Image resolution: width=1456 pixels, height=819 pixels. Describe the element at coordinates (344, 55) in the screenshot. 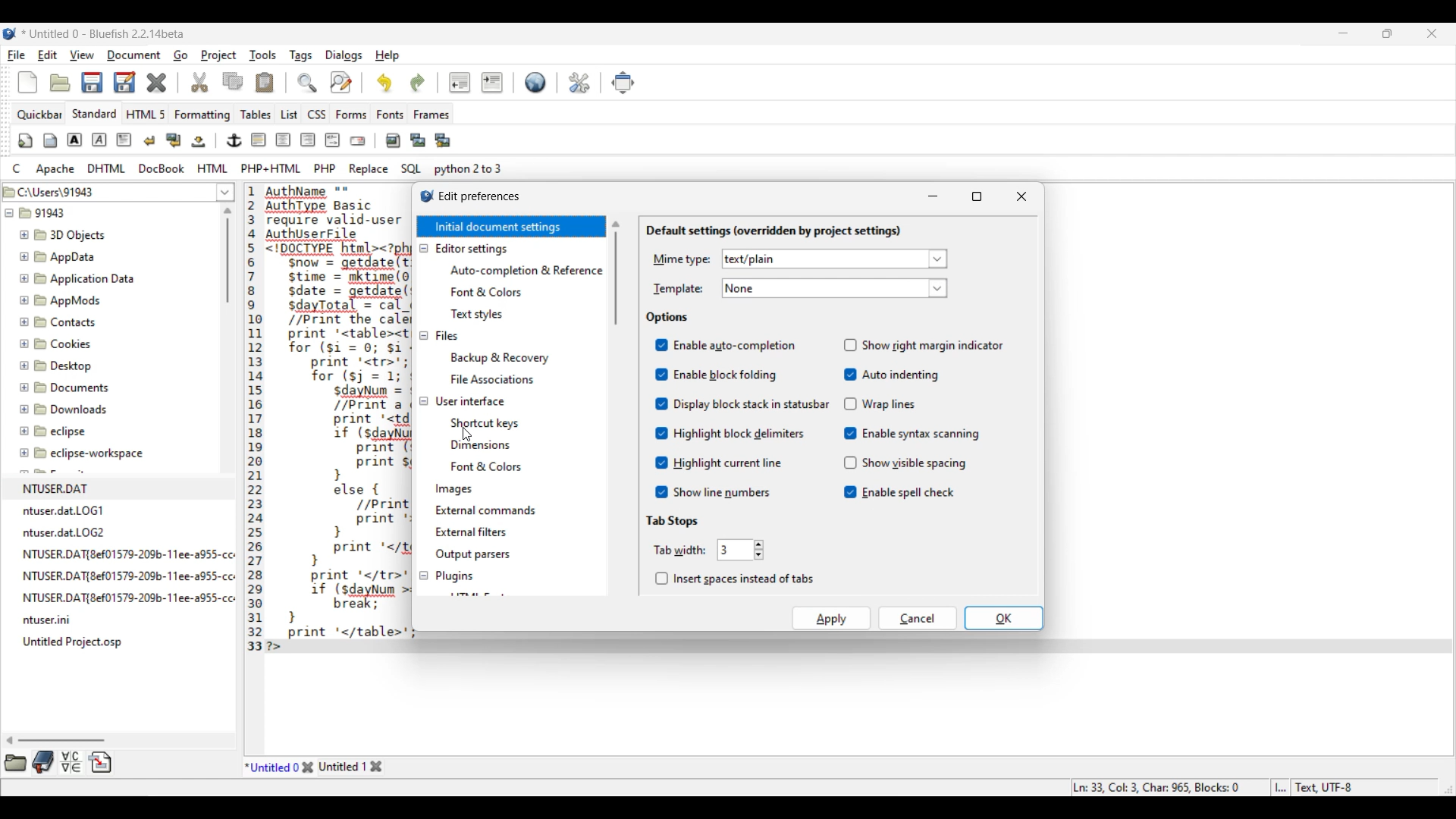

I see `Dialogs menu` at that location.